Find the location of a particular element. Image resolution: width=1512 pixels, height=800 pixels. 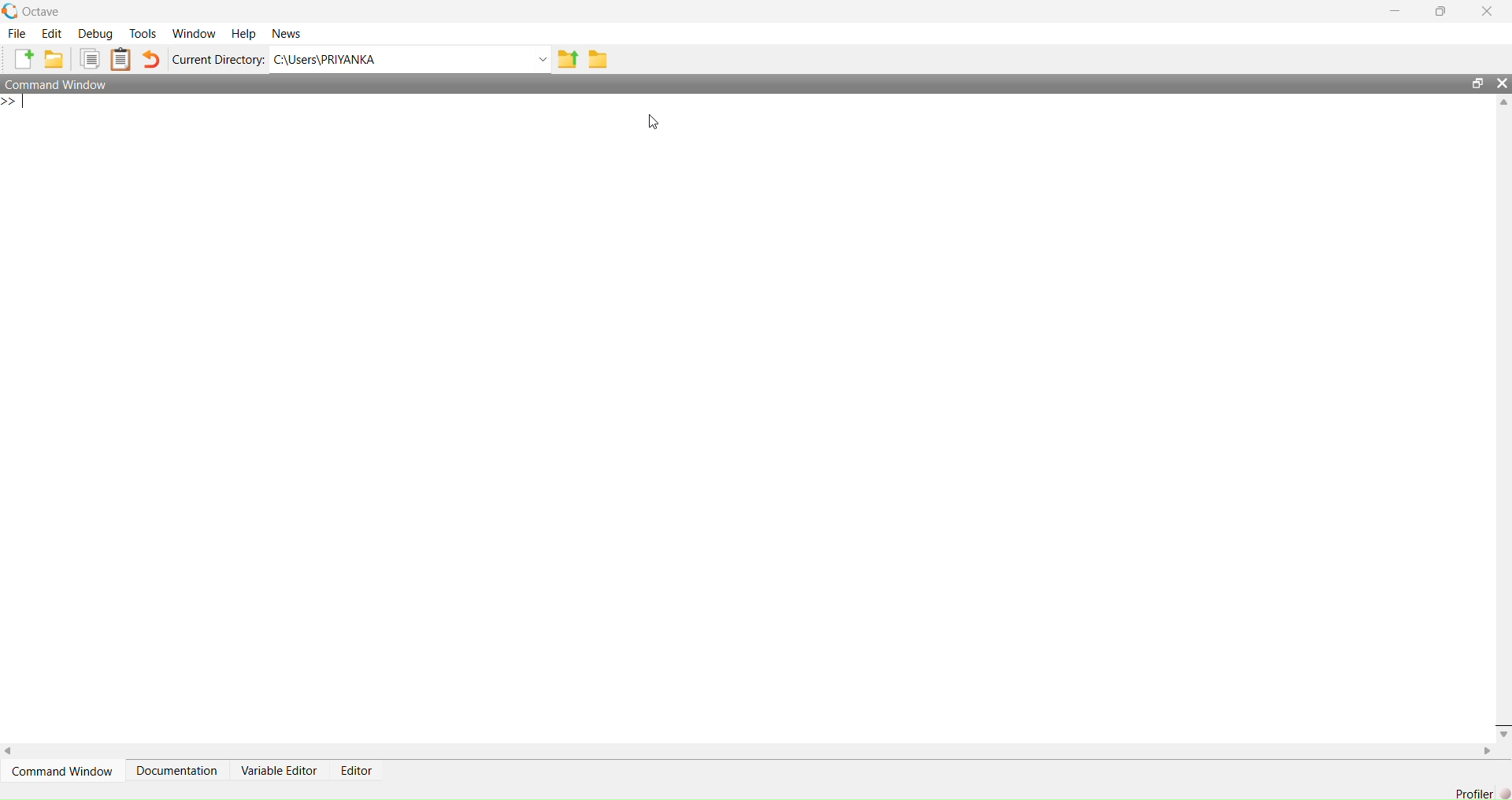

Upload Folder is located at coordinates (567, 59).